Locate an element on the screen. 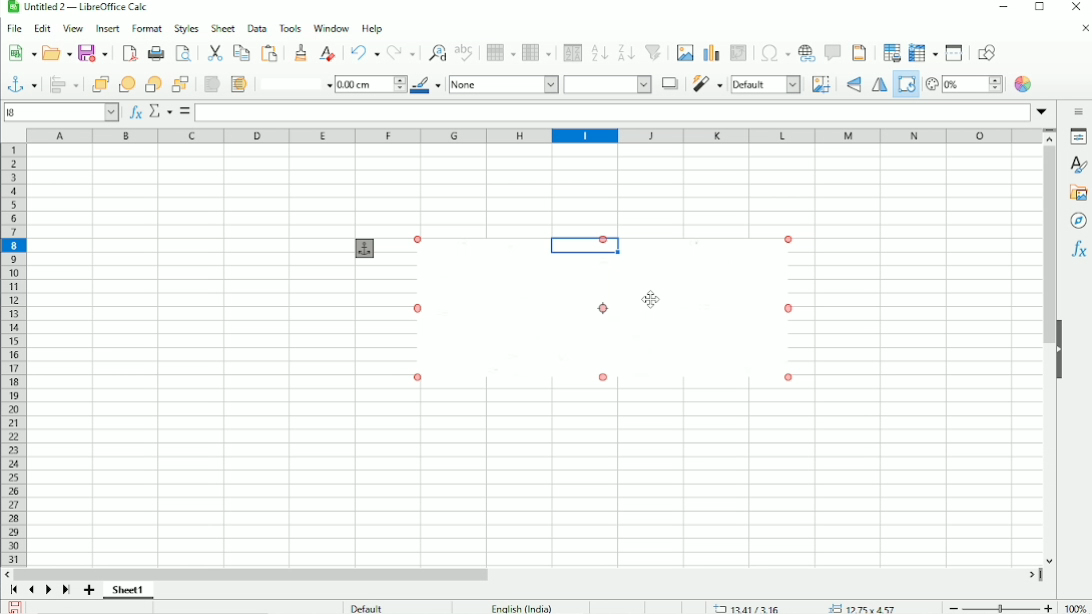 This screenshot has height=614, width=1092. Sheet 1 is located at coordinates (128, 591).